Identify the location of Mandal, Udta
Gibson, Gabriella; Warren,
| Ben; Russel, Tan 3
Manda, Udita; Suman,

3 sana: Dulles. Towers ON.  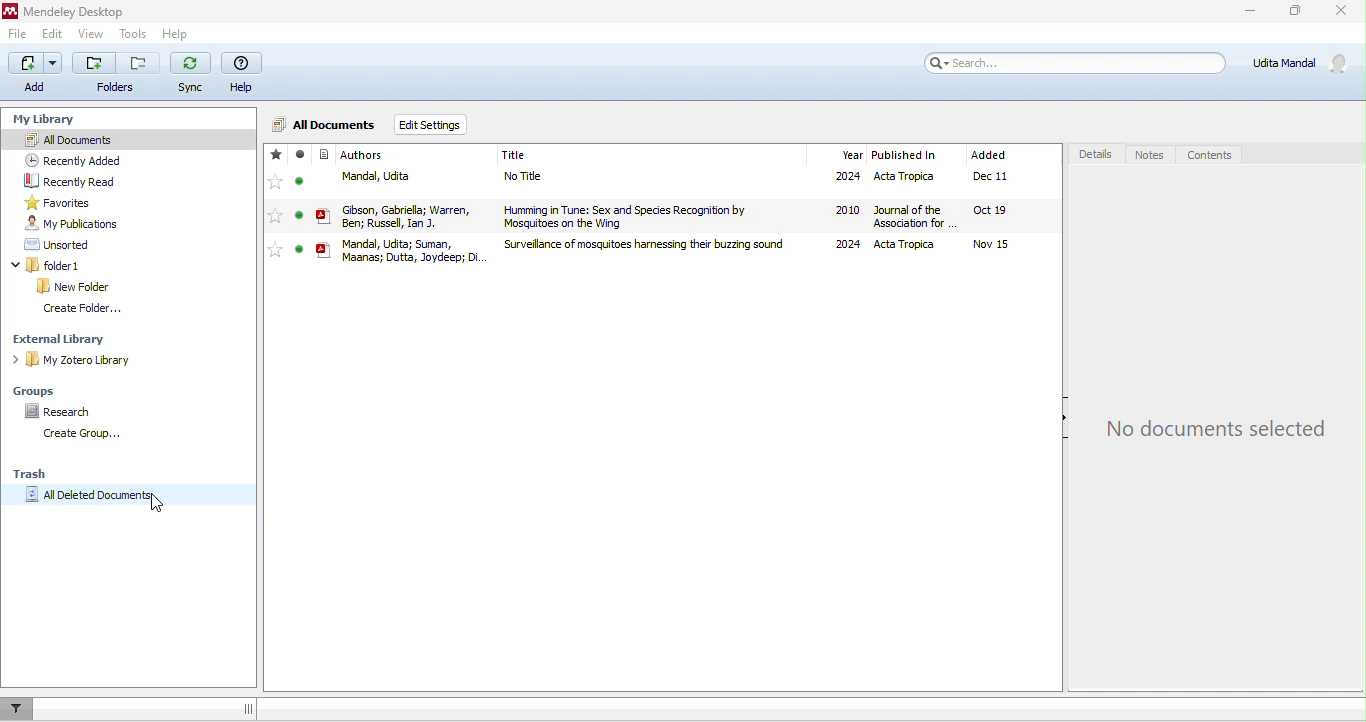
(400, 215).